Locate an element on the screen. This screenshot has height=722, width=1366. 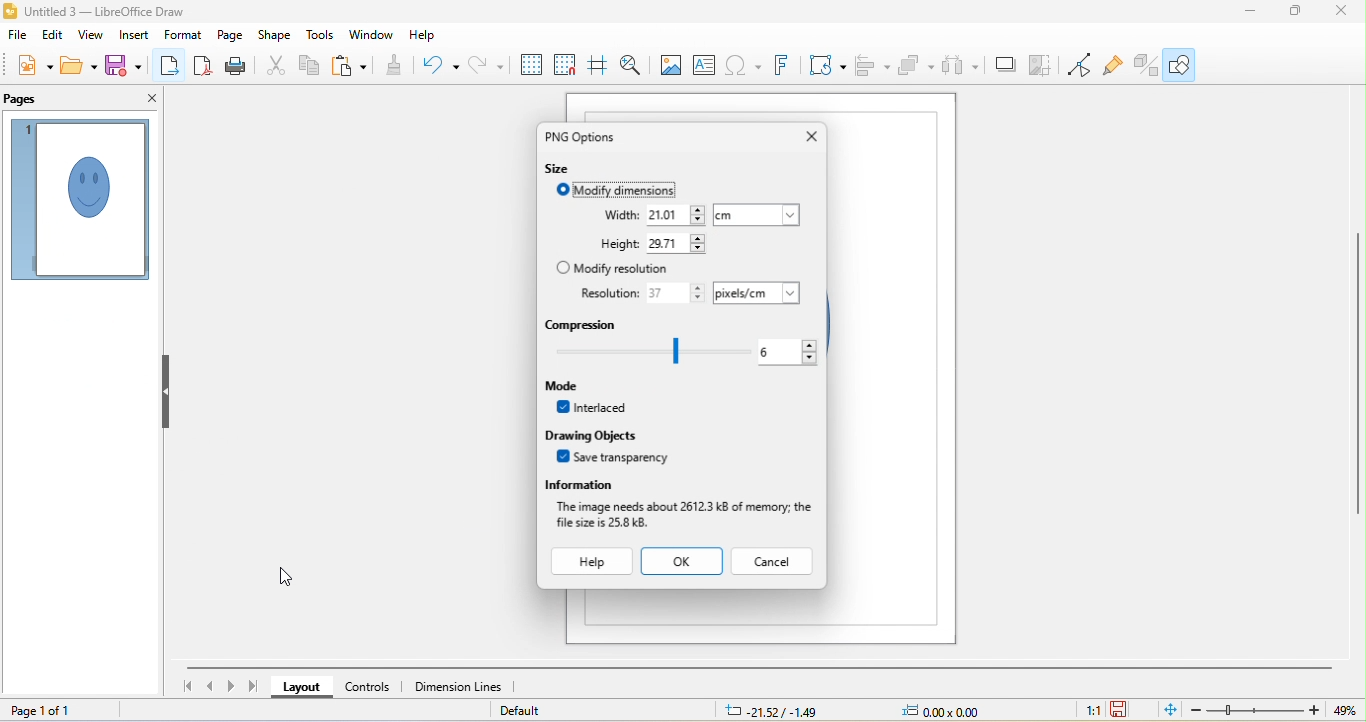
cancel is located at coordinates (771, 560).